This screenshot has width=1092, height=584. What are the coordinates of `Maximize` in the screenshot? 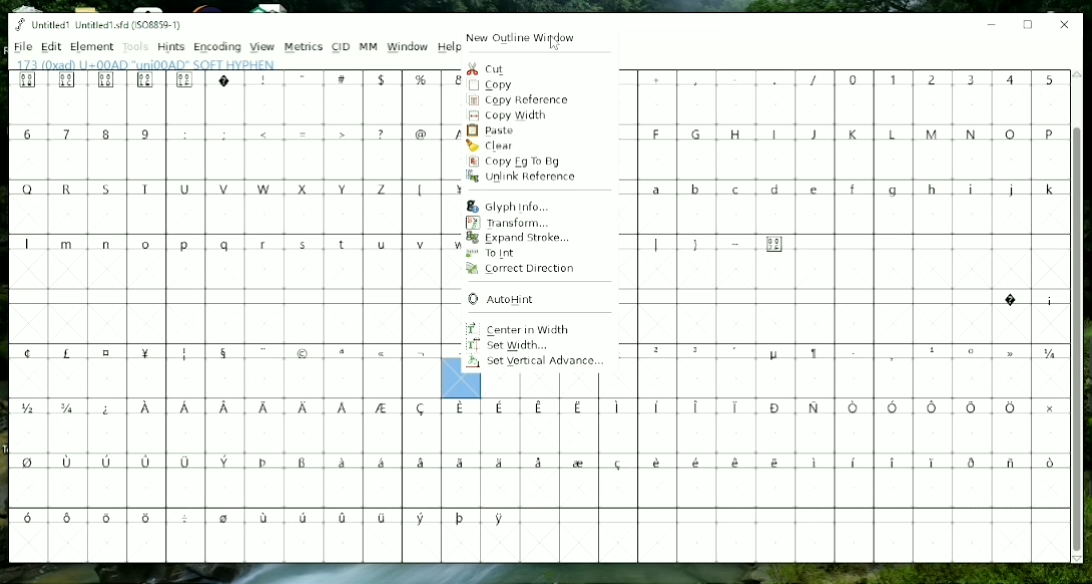 It's located at (1028, 25).